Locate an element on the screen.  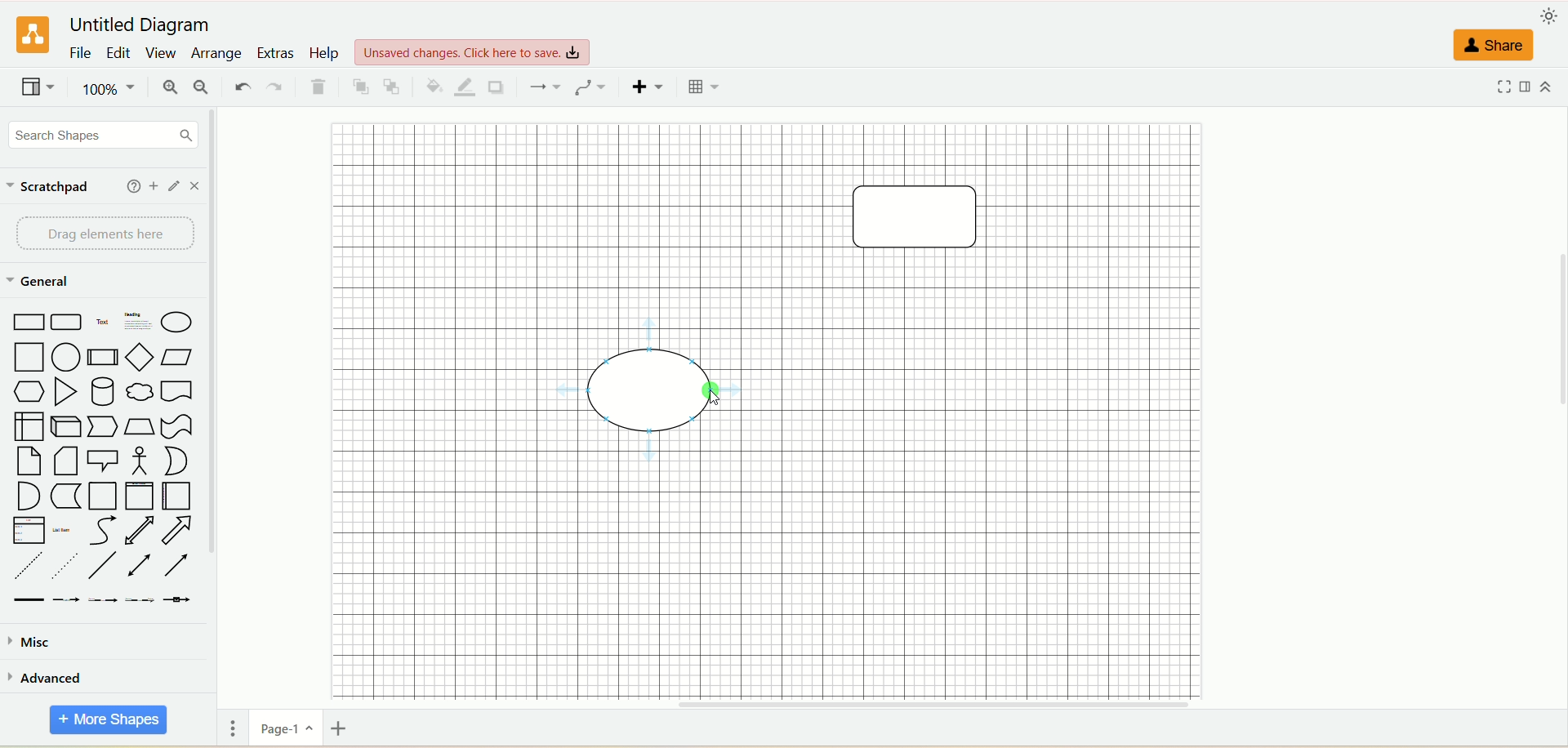
extras is located at coordinates (276, 51).